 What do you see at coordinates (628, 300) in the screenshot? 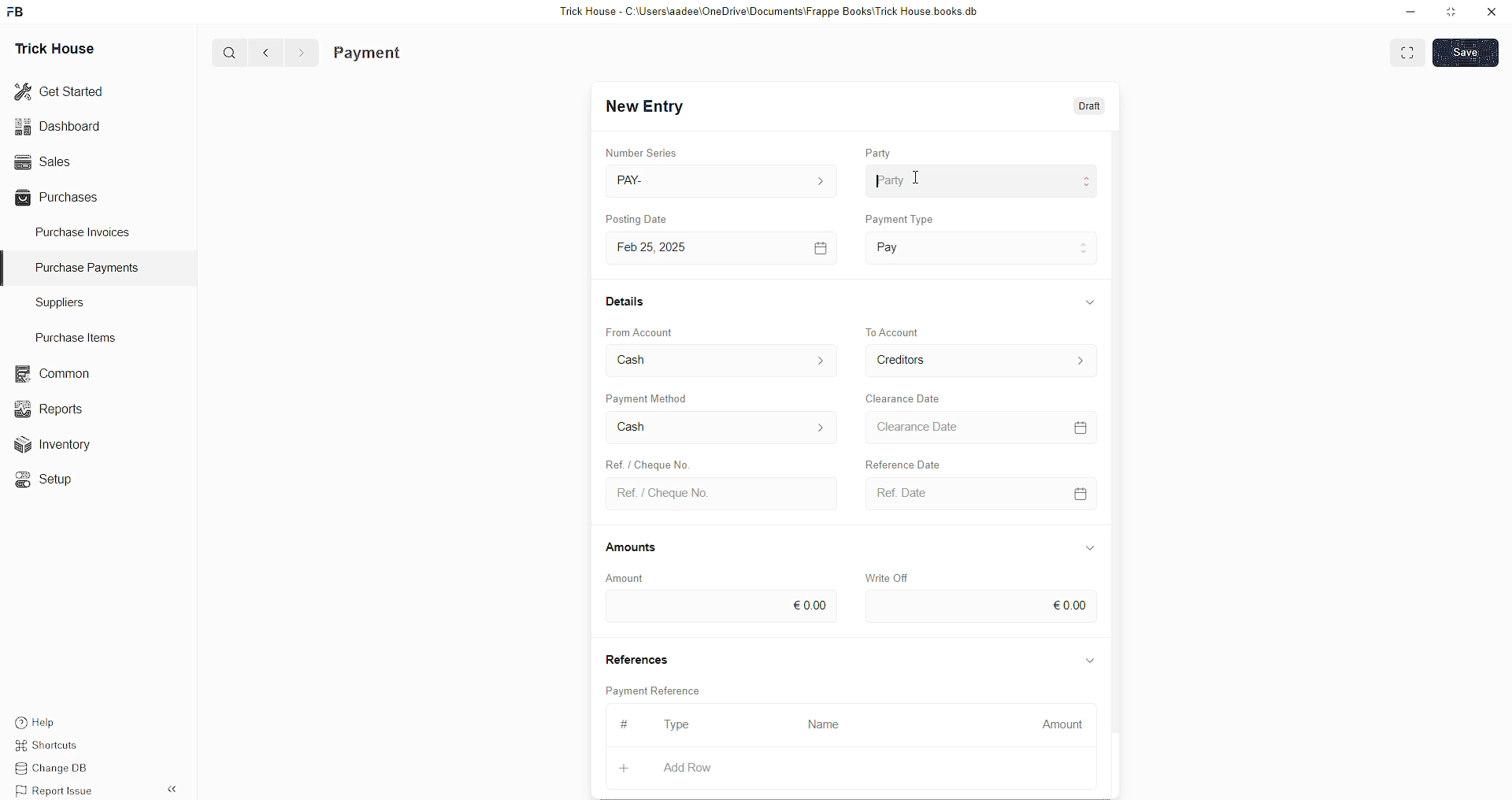
I see `Details` at bounding box center [628, 300].